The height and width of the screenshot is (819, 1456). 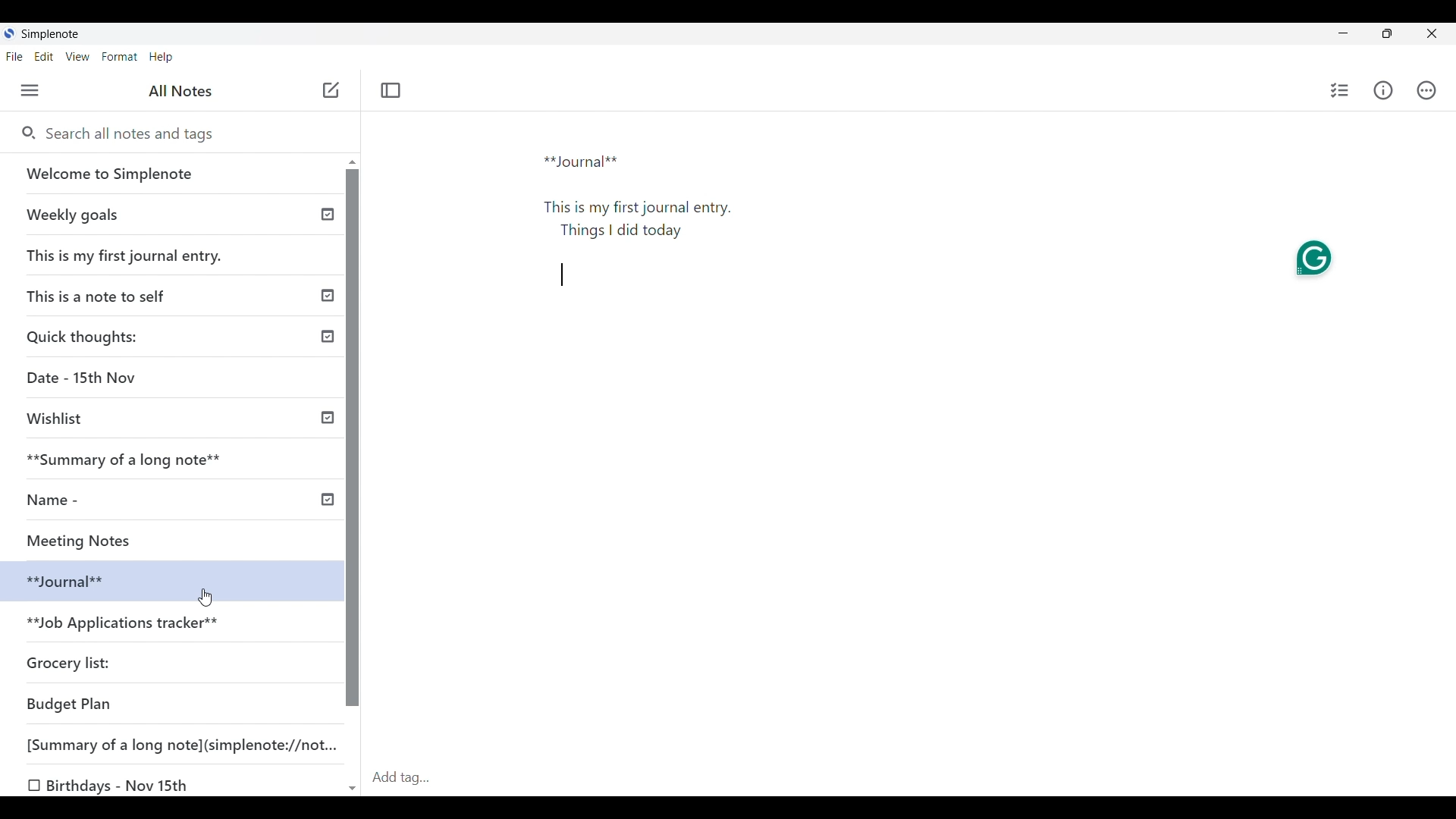 What do you see at coordinates (170, 579) in the screenshot?
I see `selected note` at bounding box center [170, 579].